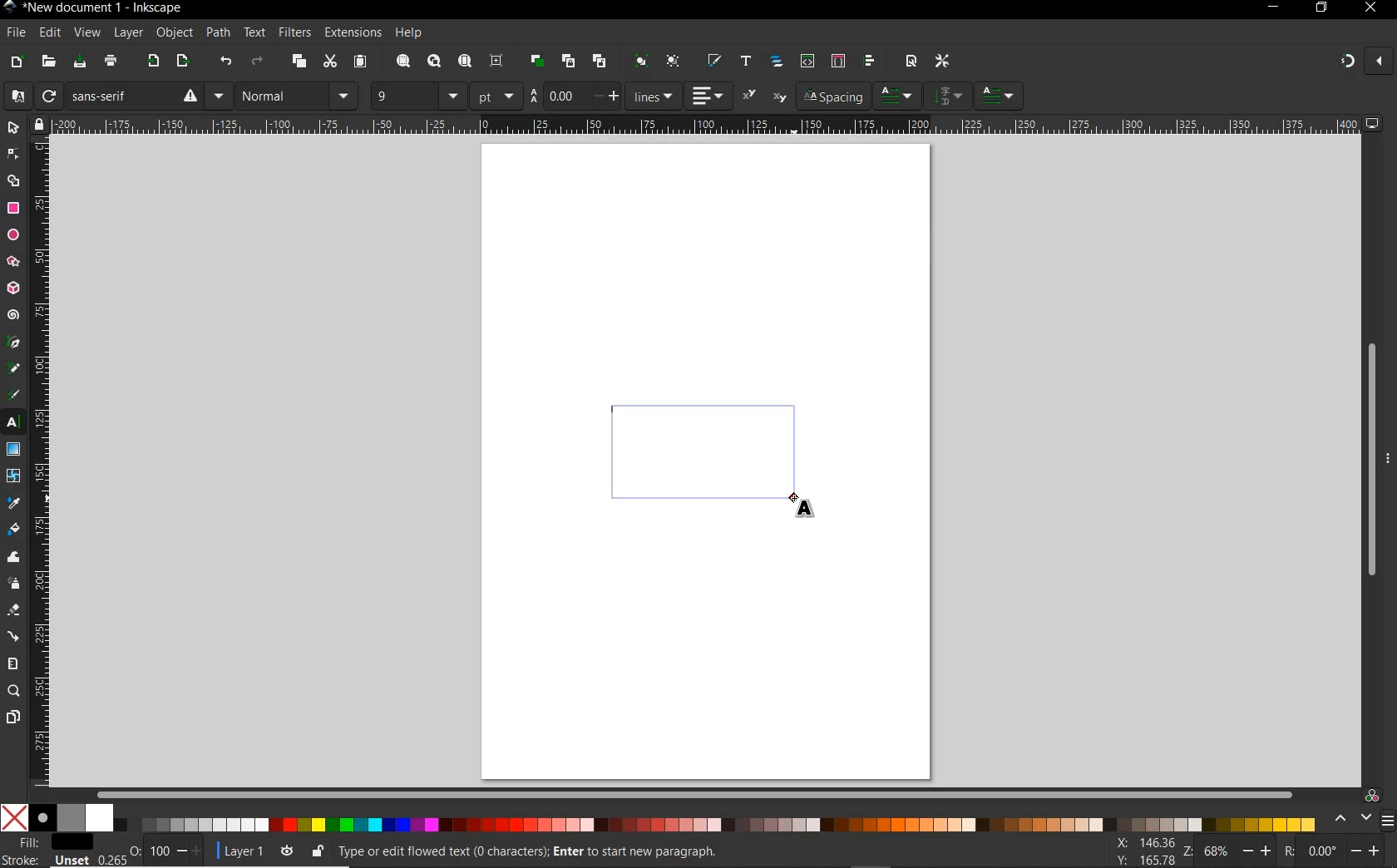 This screenshot has width=1397, height=868. What do you see at coordinates (837, 61) in the screenshot?
I see `open selectors` at bounding box center [837, 61].